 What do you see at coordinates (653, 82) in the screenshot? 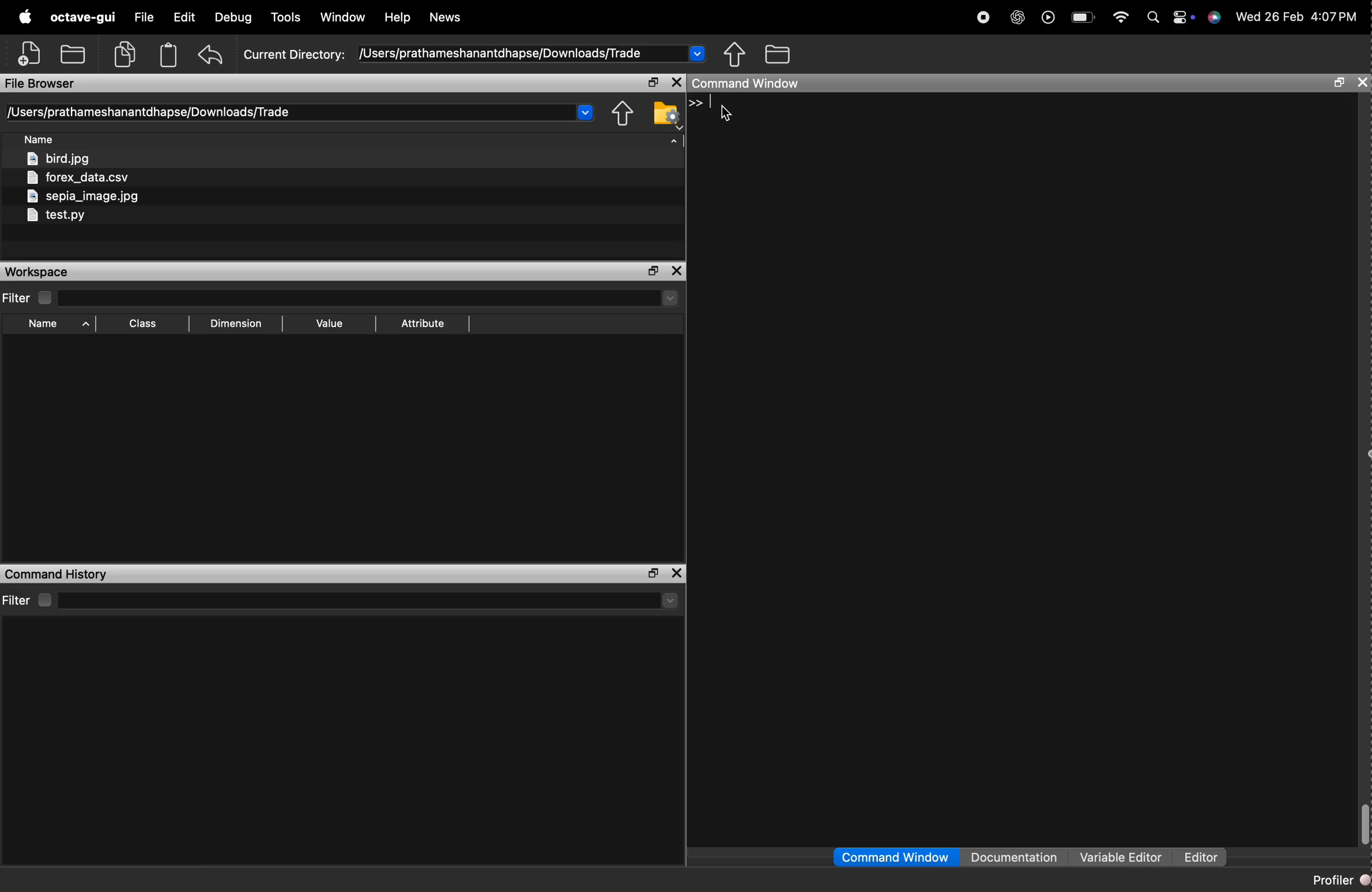
I see `open in separate window` at bounding box center [653, 82].